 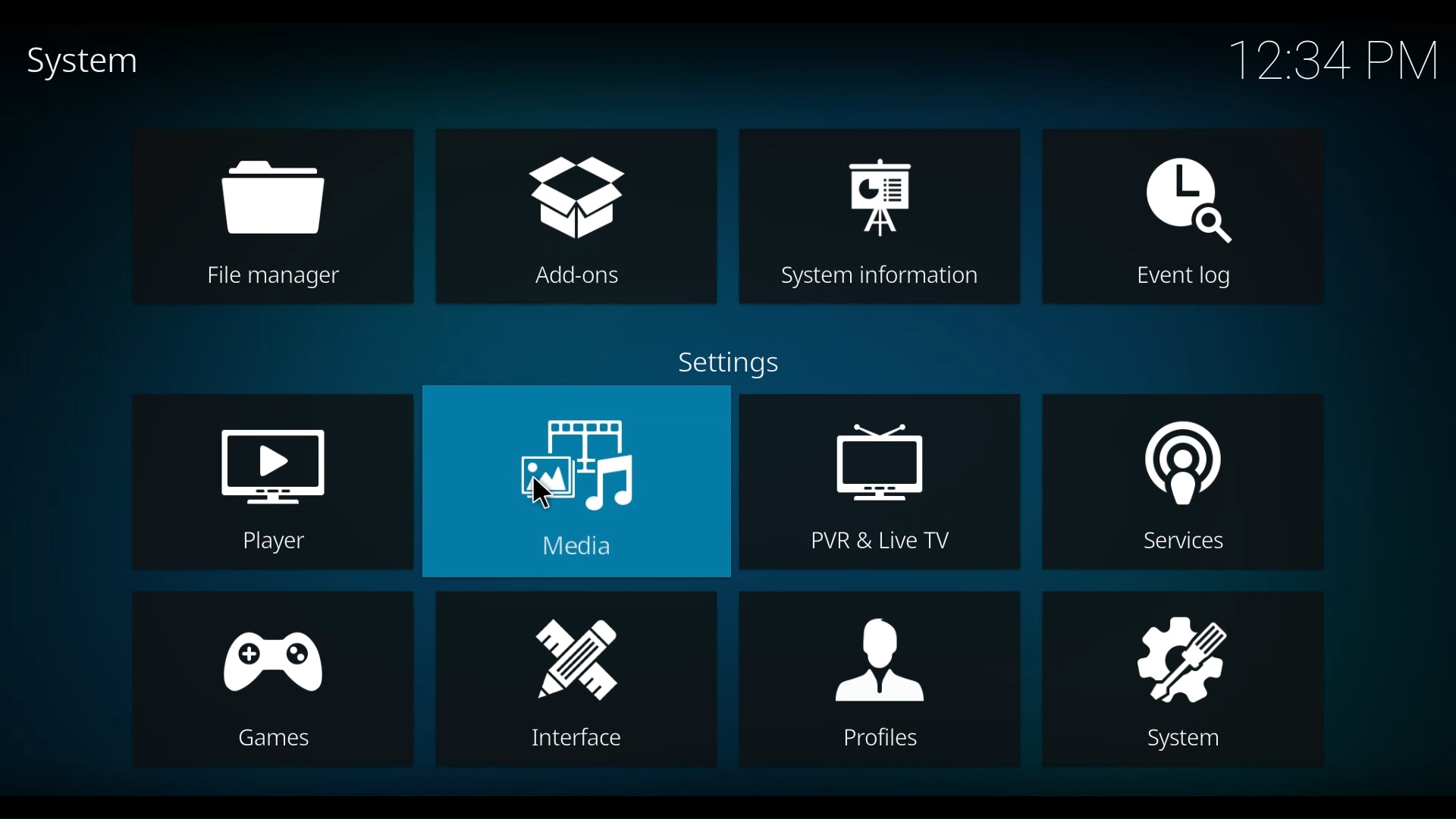 I want to click on File manager, so click(x=271, y=215).